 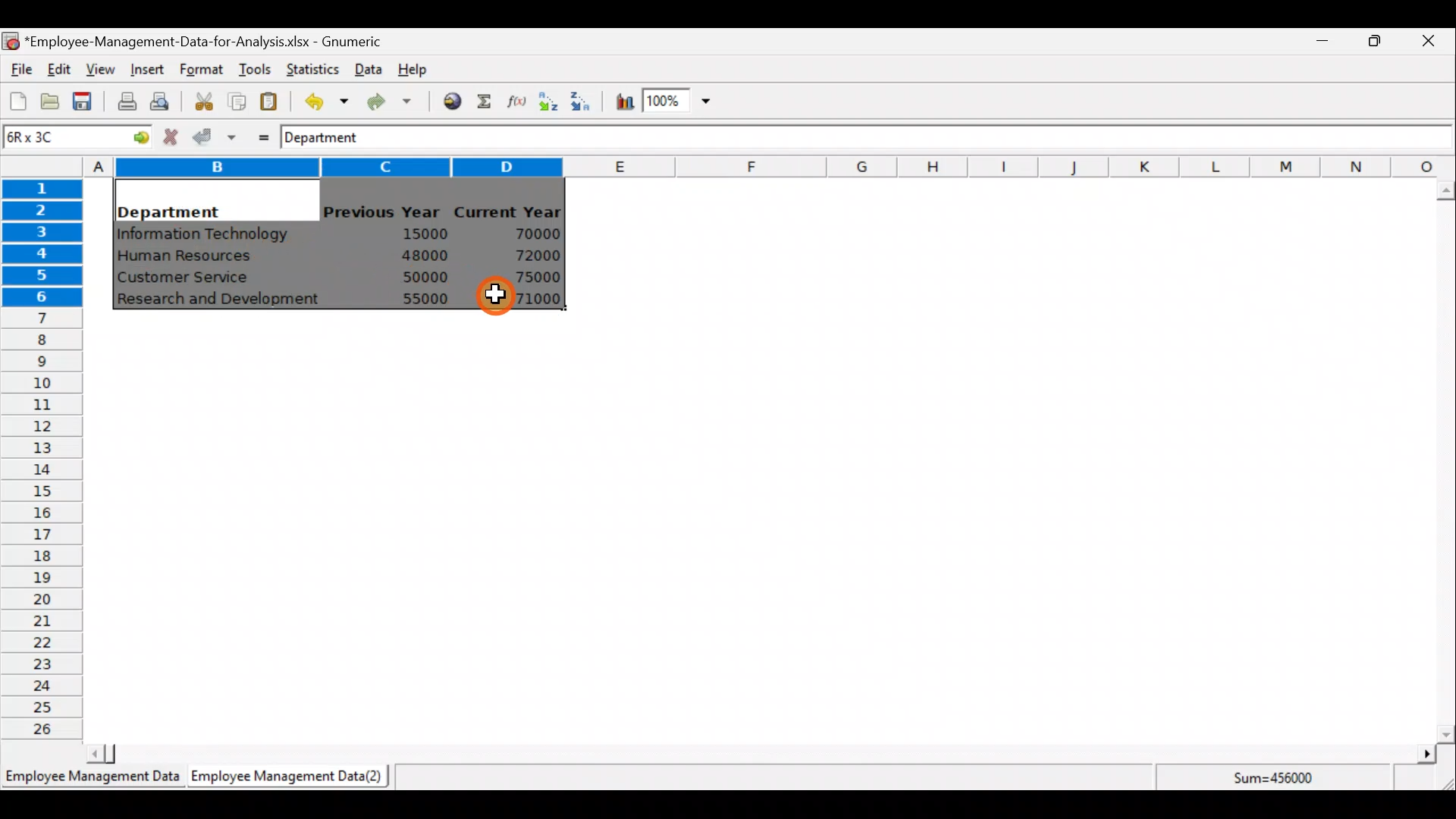 What do you see at coordinates (331, 136) in the screenshot?
I see `Department` at bounding box center [331, 136].